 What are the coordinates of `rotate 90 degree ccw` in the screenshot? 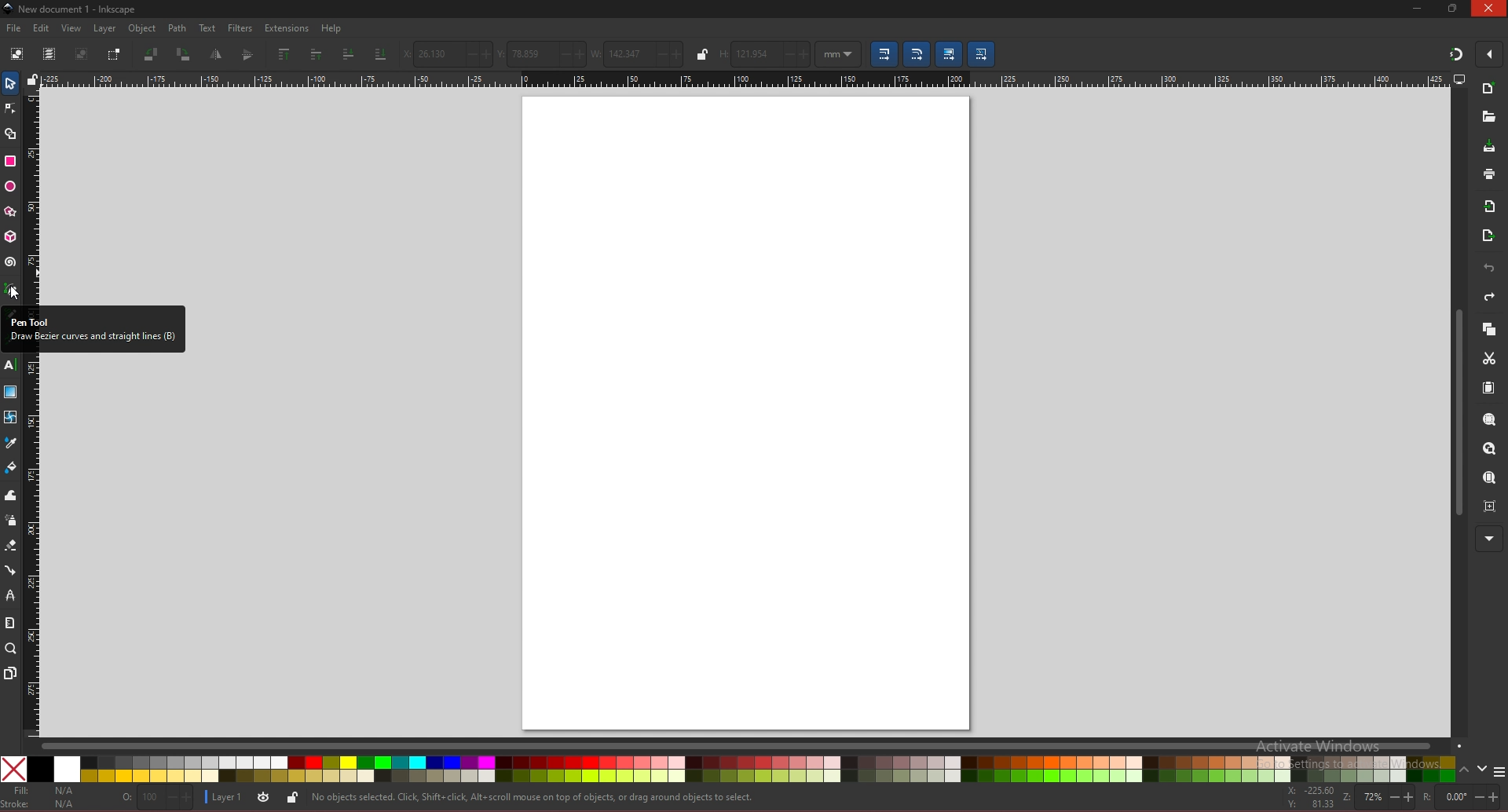 It's located at (152, 54).